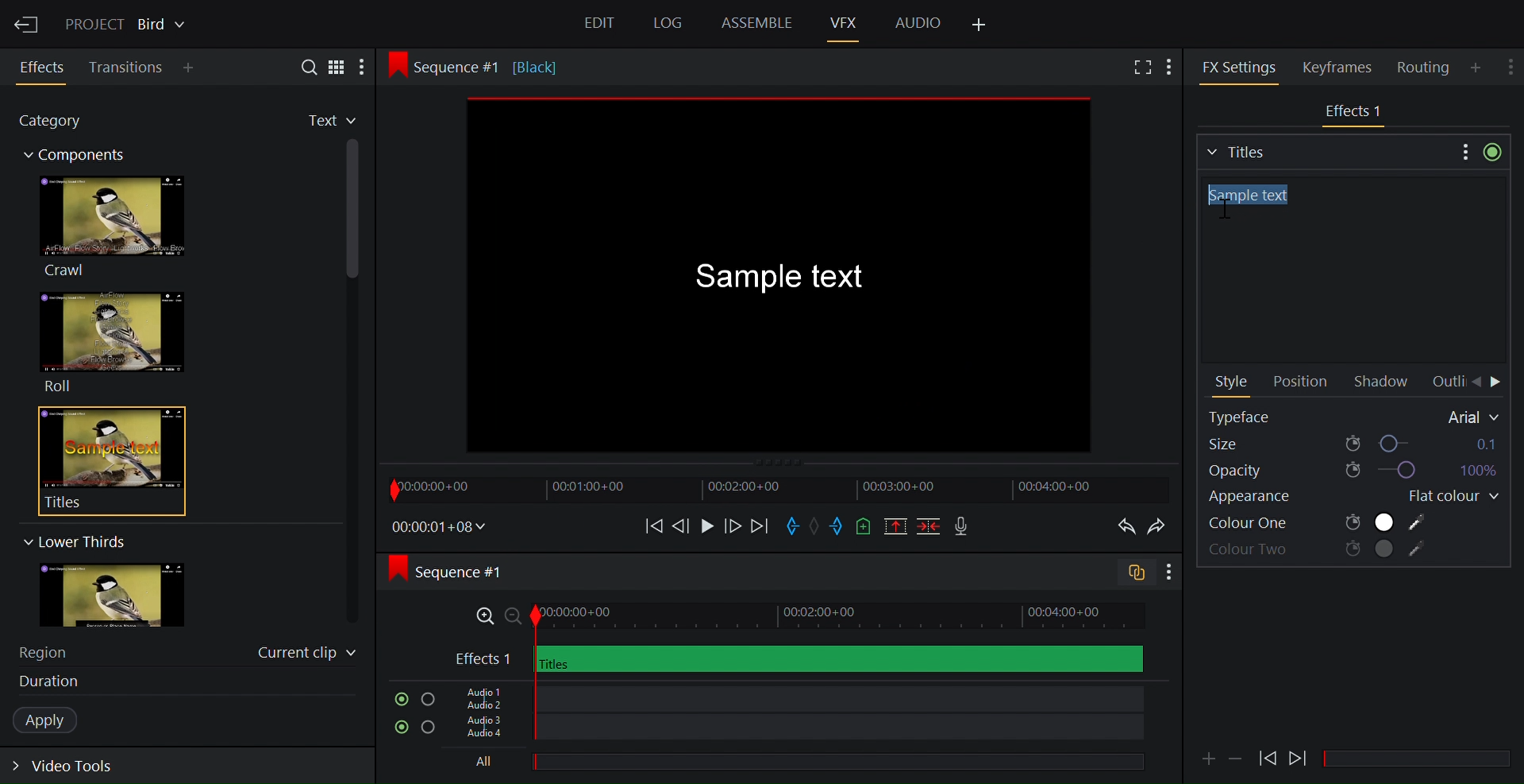  What do you see at coordinates (464, 571) in the screenshot?
I see `Sequence` at bounding box center [464, 571].